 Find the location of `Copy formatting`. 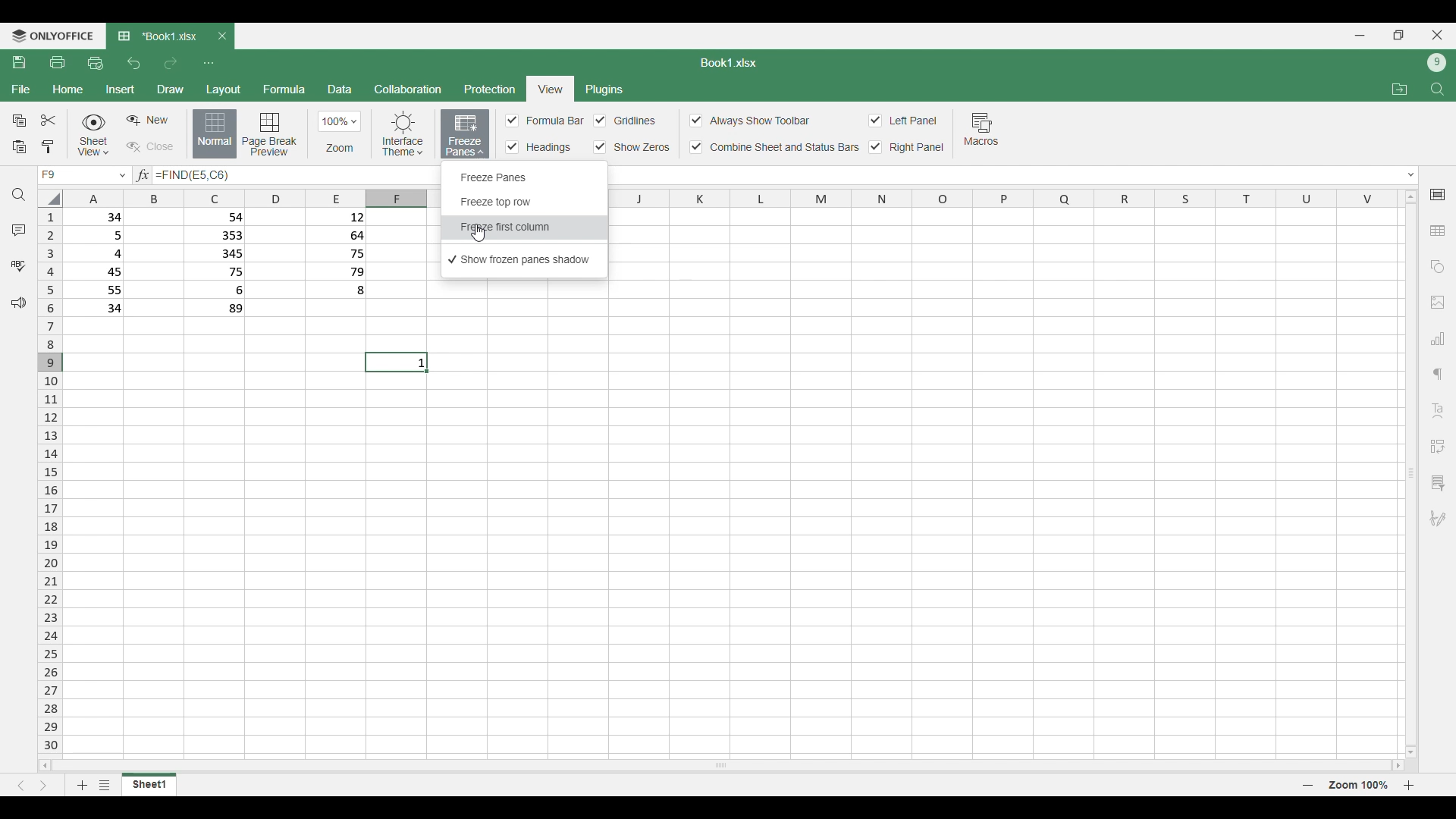

Copy formatting is located at coordinates (48, 147).